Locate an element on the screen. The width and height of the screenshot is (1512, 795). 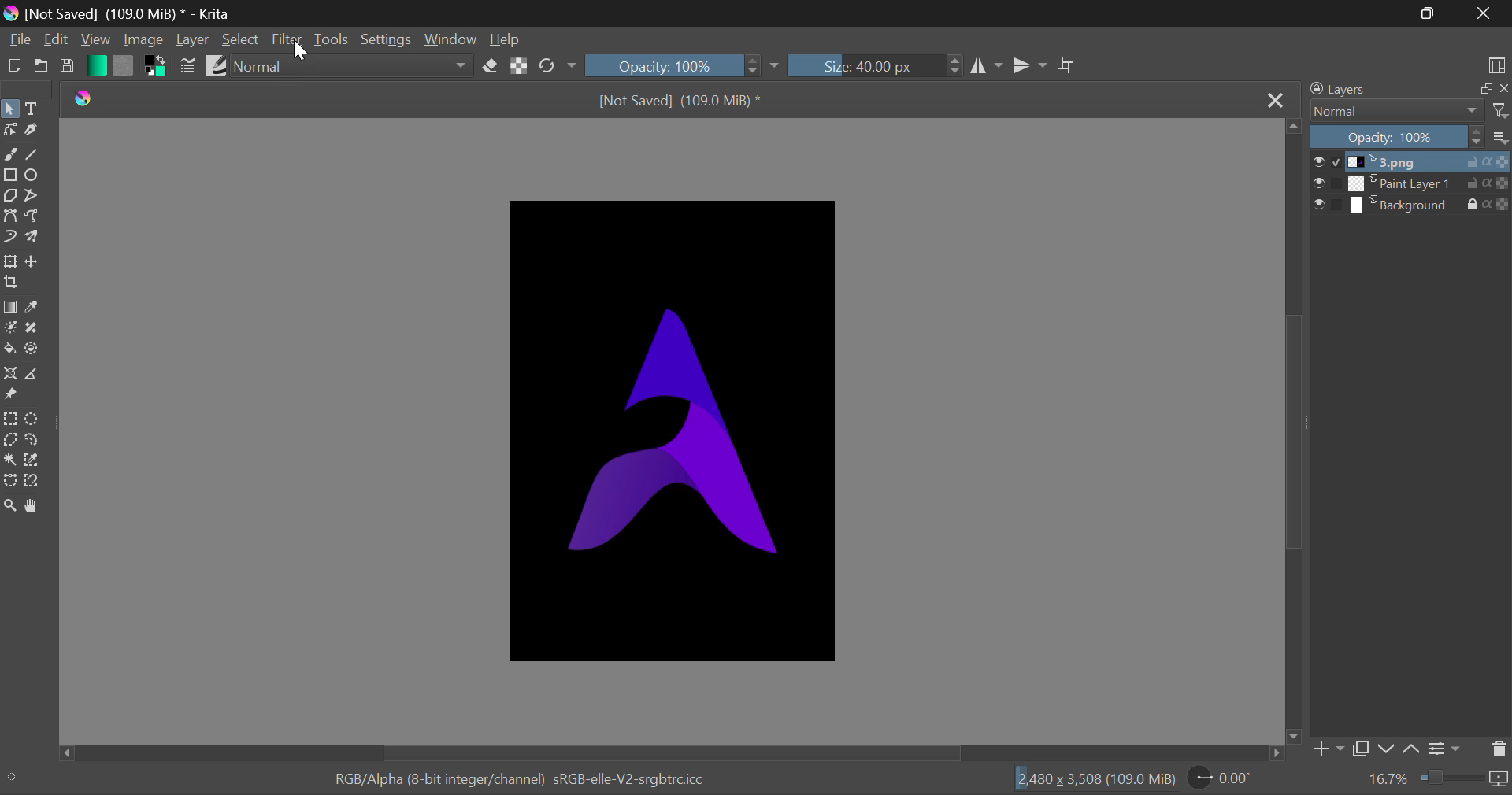
Magnetic Selection Tool is located at coordinates (33, 484).